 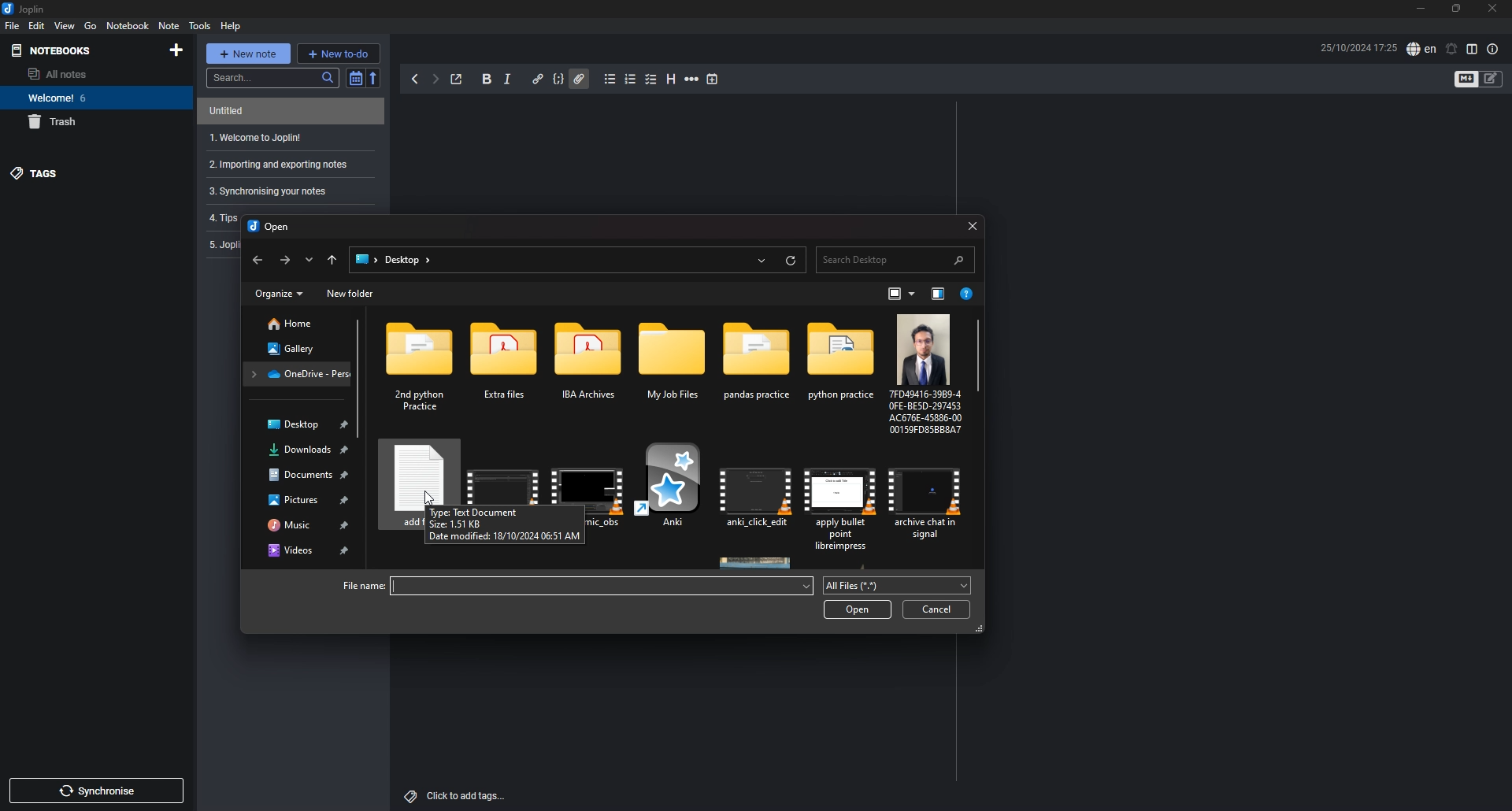 What do you see at coordinates (1474, 49) in the screenshot?
I see `toggle editor layout` at bounding box center [1474, 49].